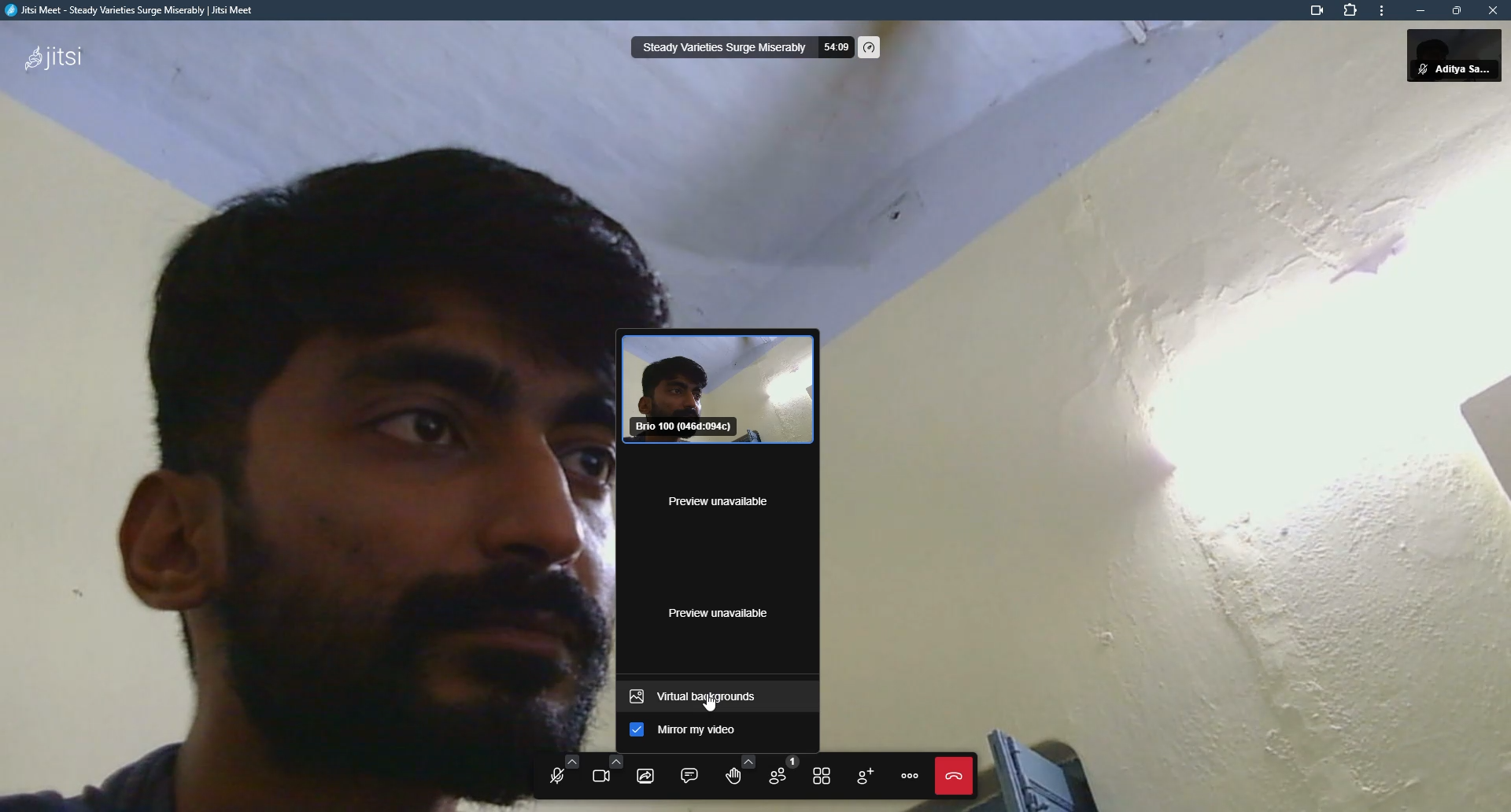  What do you see at coordinates (779, 773) in the screenshot?
I see `participants` at bounding box center [779, 773].